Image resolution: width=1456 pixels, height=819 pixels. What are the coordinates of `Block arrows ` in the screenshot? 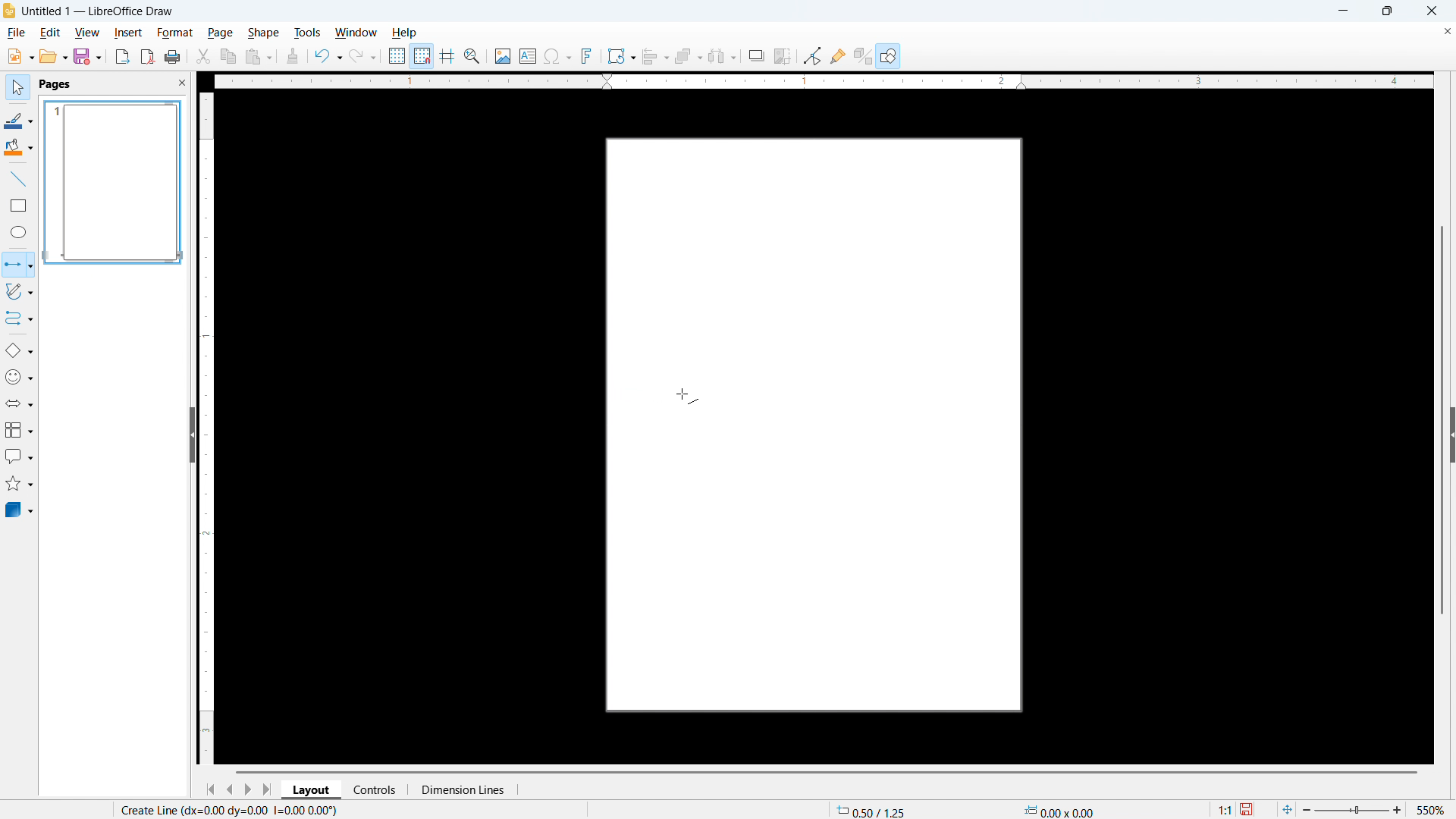 It's located at (20, 404).